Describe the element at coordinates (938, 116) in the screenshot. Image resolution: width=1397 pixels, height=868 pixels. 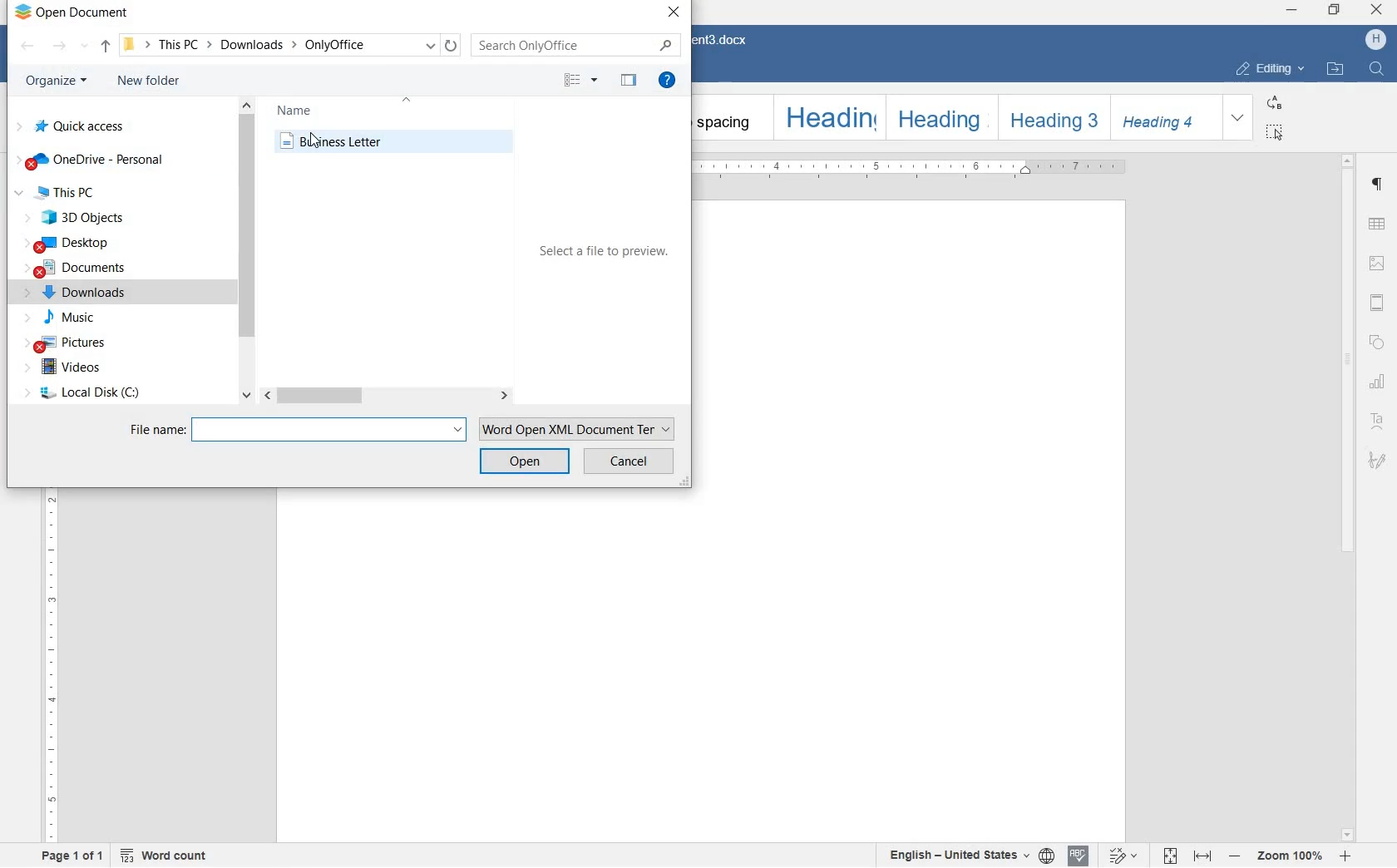
I see `heading 2` at that location.